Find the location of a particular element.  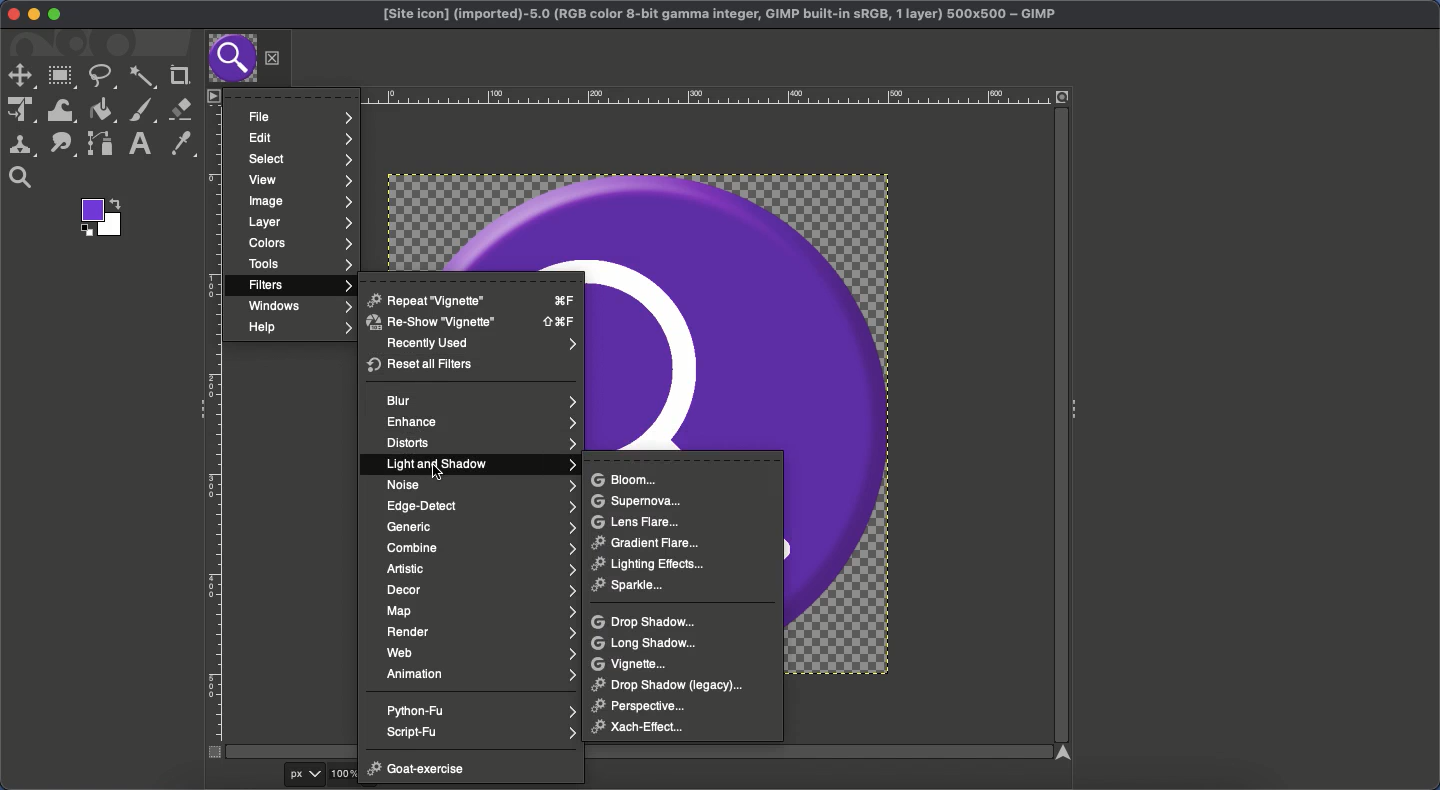

Web is located at coordinates (484, 653).